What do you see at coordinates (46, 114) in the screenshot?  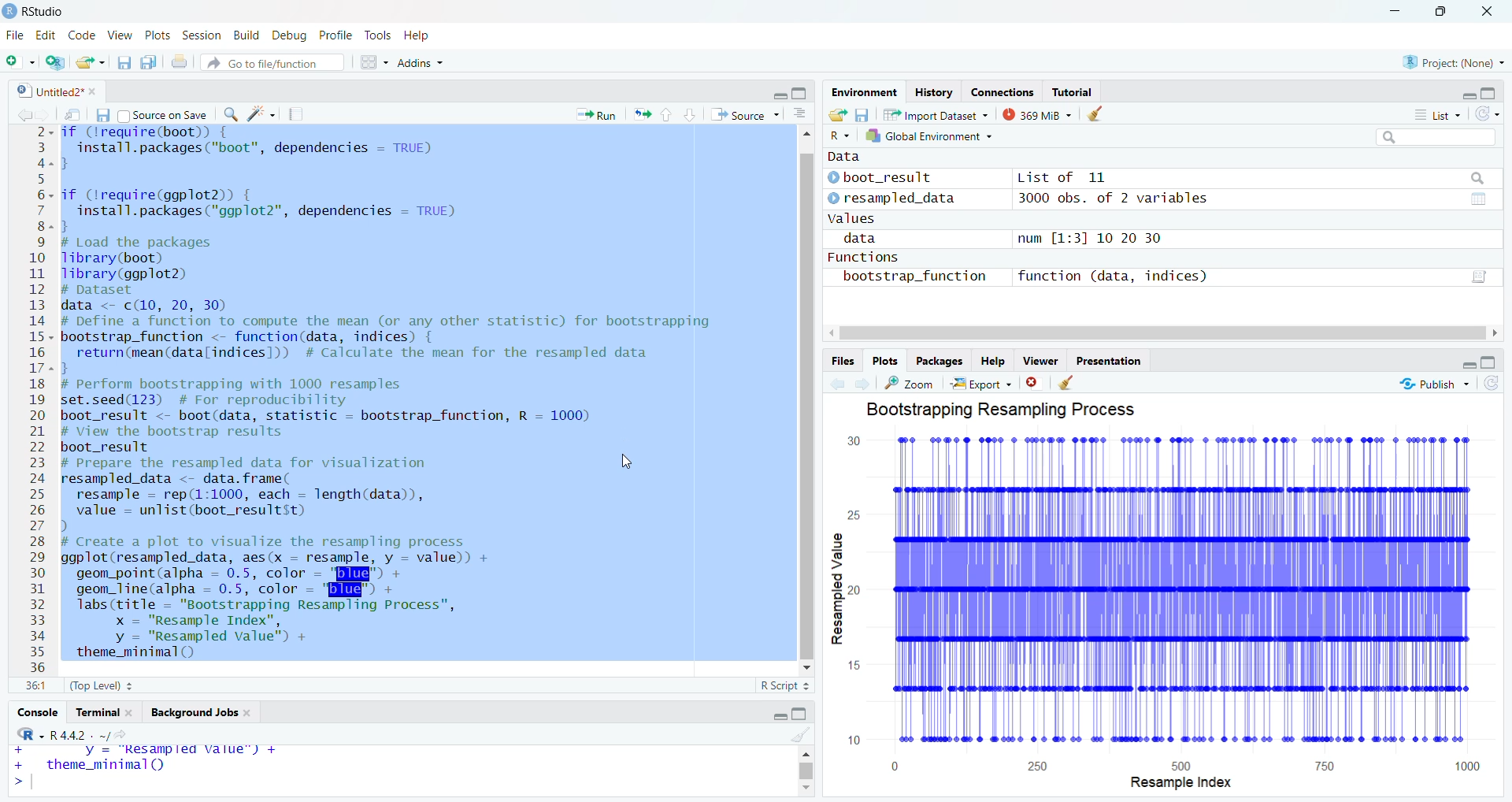 I see `go back to the next source location` at bounding box center [46, 114].